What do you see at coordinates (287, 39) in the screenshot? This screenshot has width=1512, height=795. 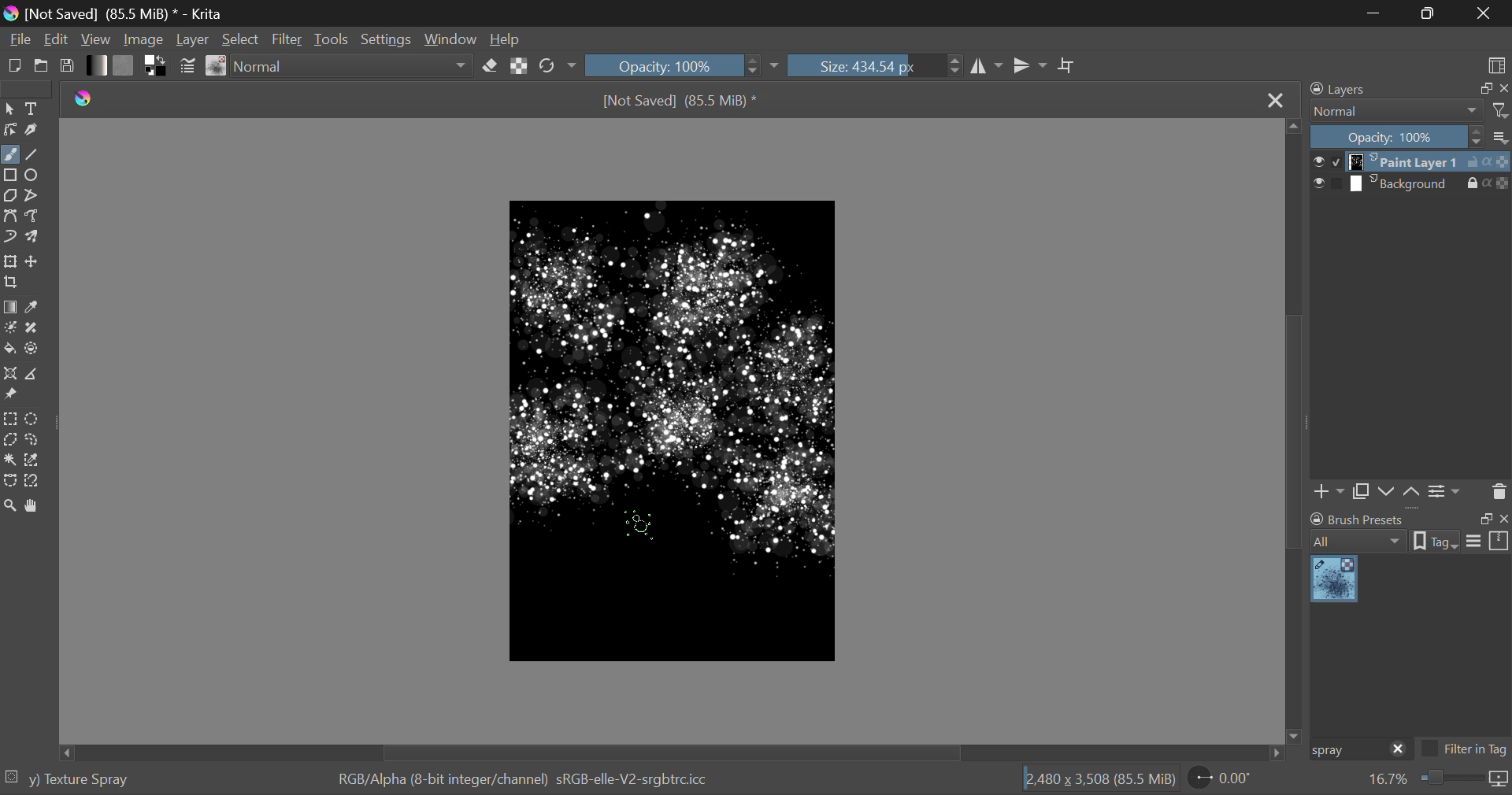 I see `Filter` at bounding box center [287, 39].